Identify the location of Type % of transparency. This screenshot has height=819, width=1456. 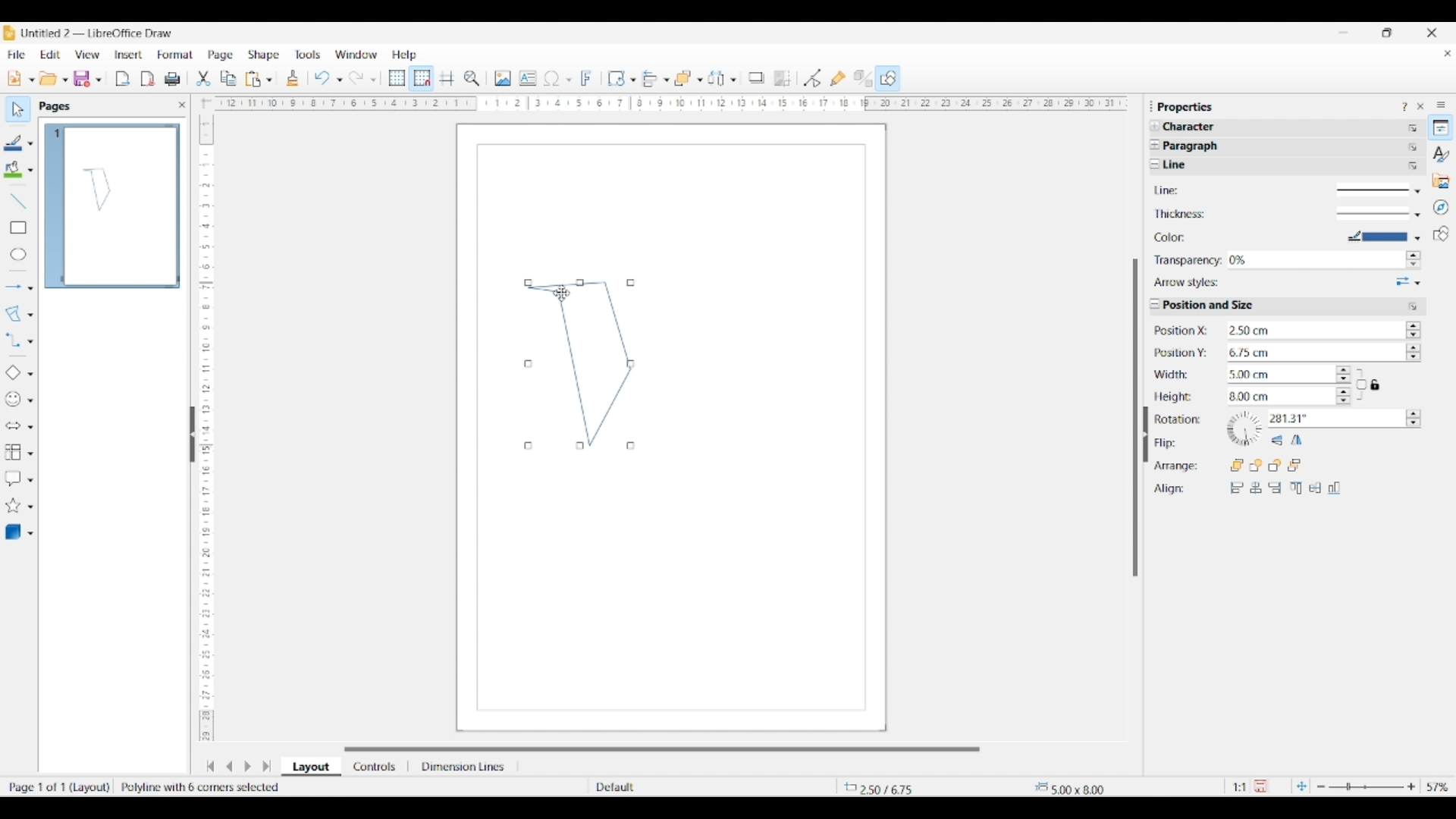
(1315, 260).